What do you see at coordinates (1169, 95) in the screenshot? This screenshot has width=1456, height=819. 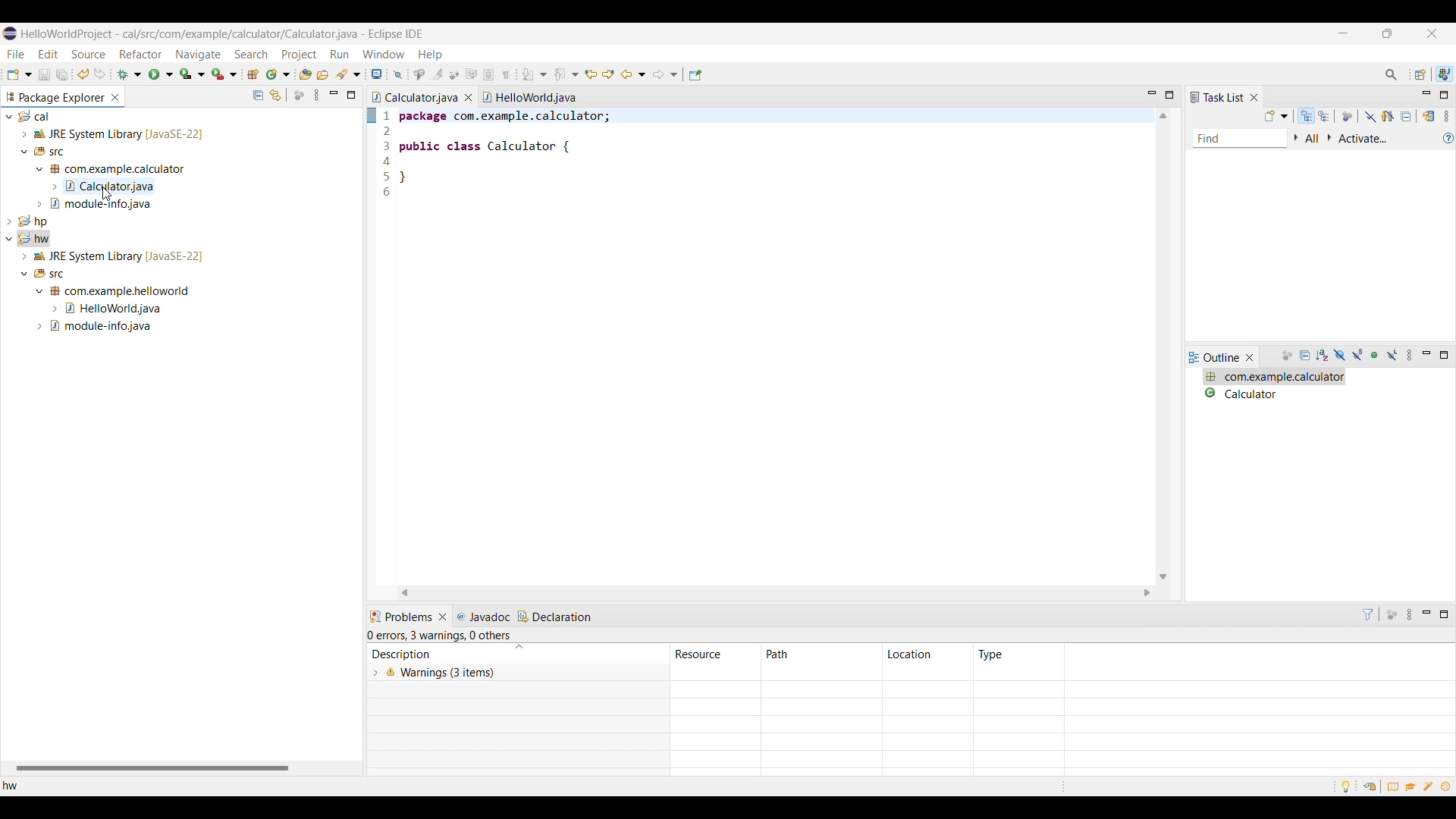 I see `Maximize` at bounding box center [1169, 95].